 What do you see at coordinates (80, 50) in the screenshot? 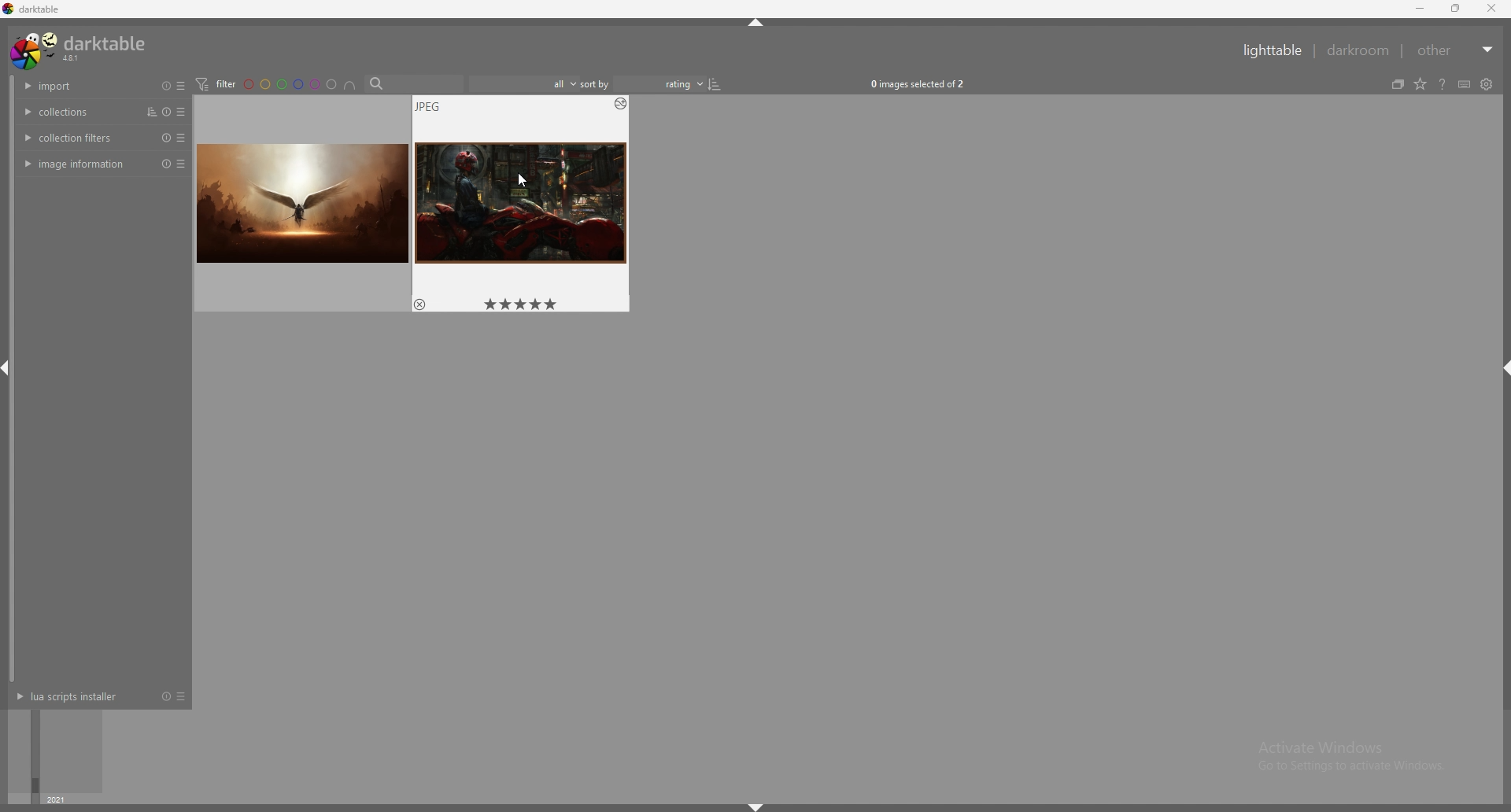
I see `darktable 4.8.1` at bounding box center [80, 50].